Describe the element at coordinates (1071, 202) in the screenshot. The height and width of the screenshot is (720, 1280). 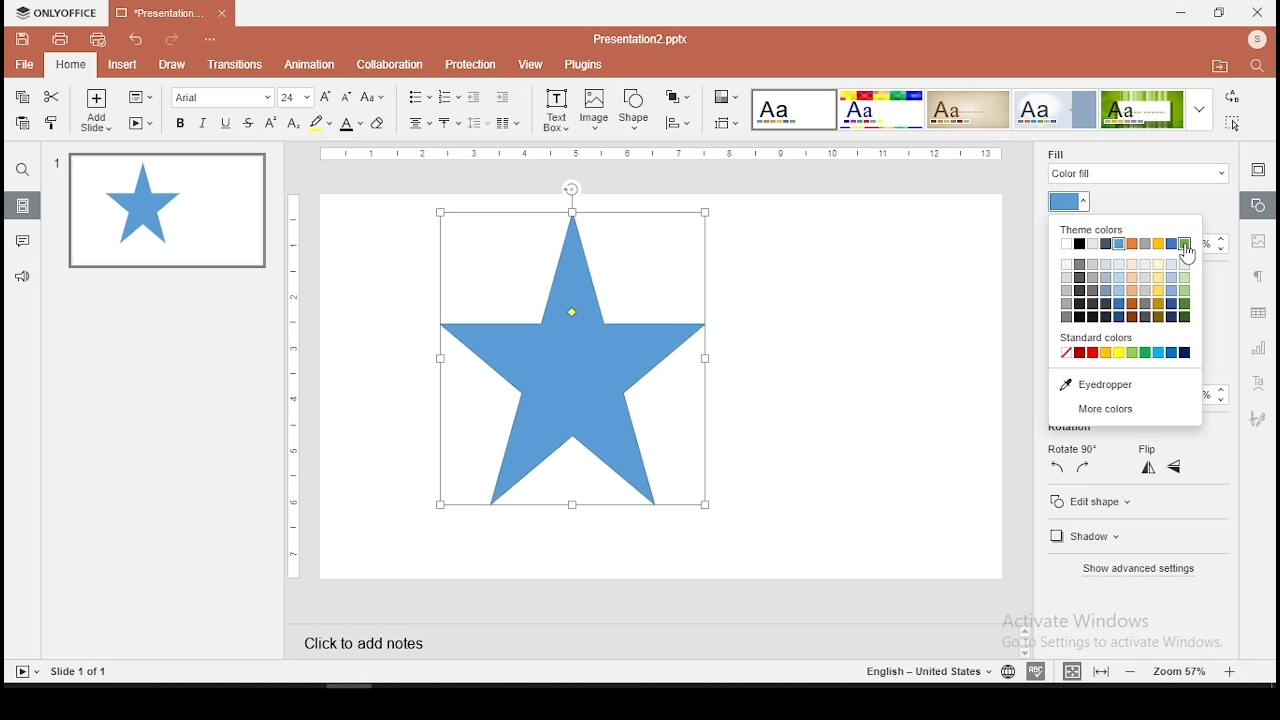
I see `fil color` at that location.